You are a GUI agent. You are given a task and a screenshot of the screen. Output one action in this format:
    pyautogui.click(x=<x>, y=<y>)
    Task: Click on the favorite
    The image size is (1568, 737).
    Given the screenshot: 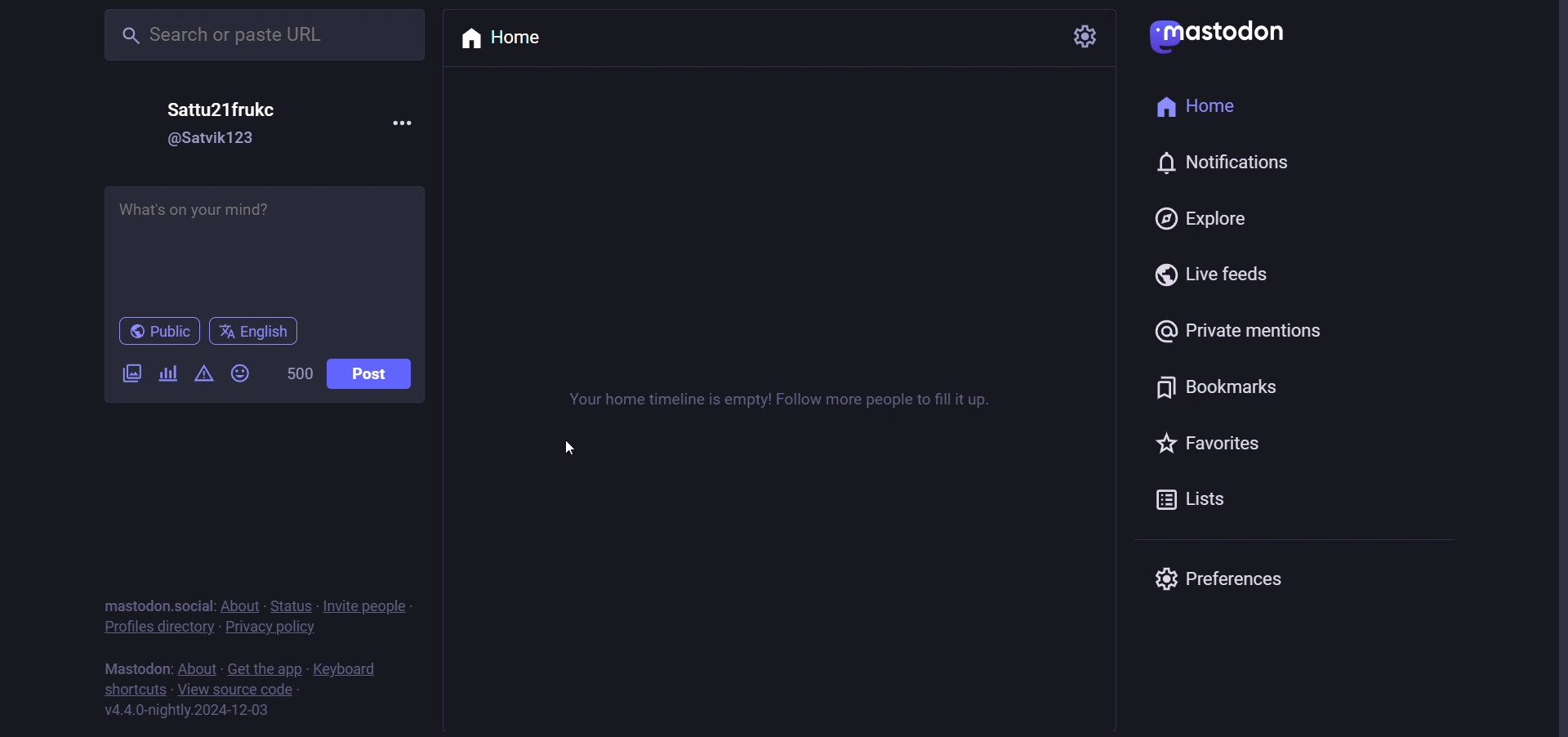 What is the action you would take?
    pyautogui.click(x=1211, y=444)
    